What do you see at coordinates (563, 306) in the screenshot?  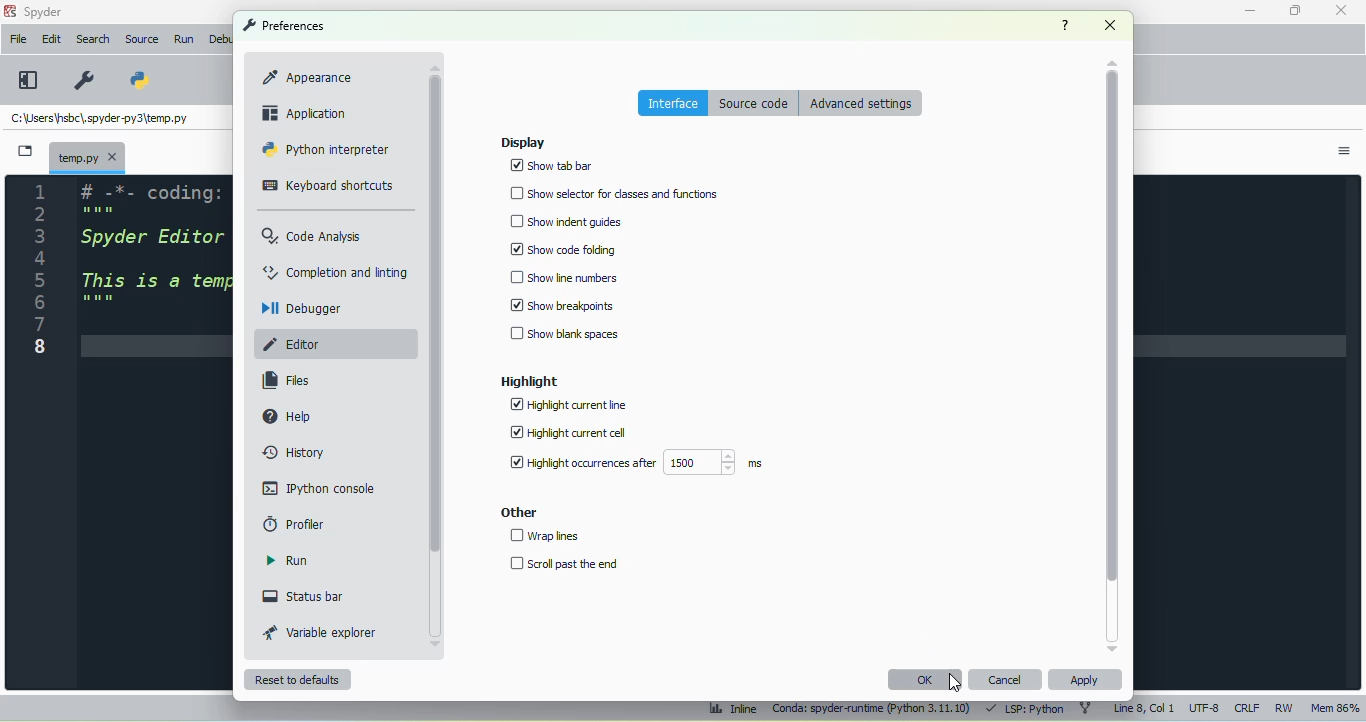 I see `show breakpoints` at bounding box center [563, 306].